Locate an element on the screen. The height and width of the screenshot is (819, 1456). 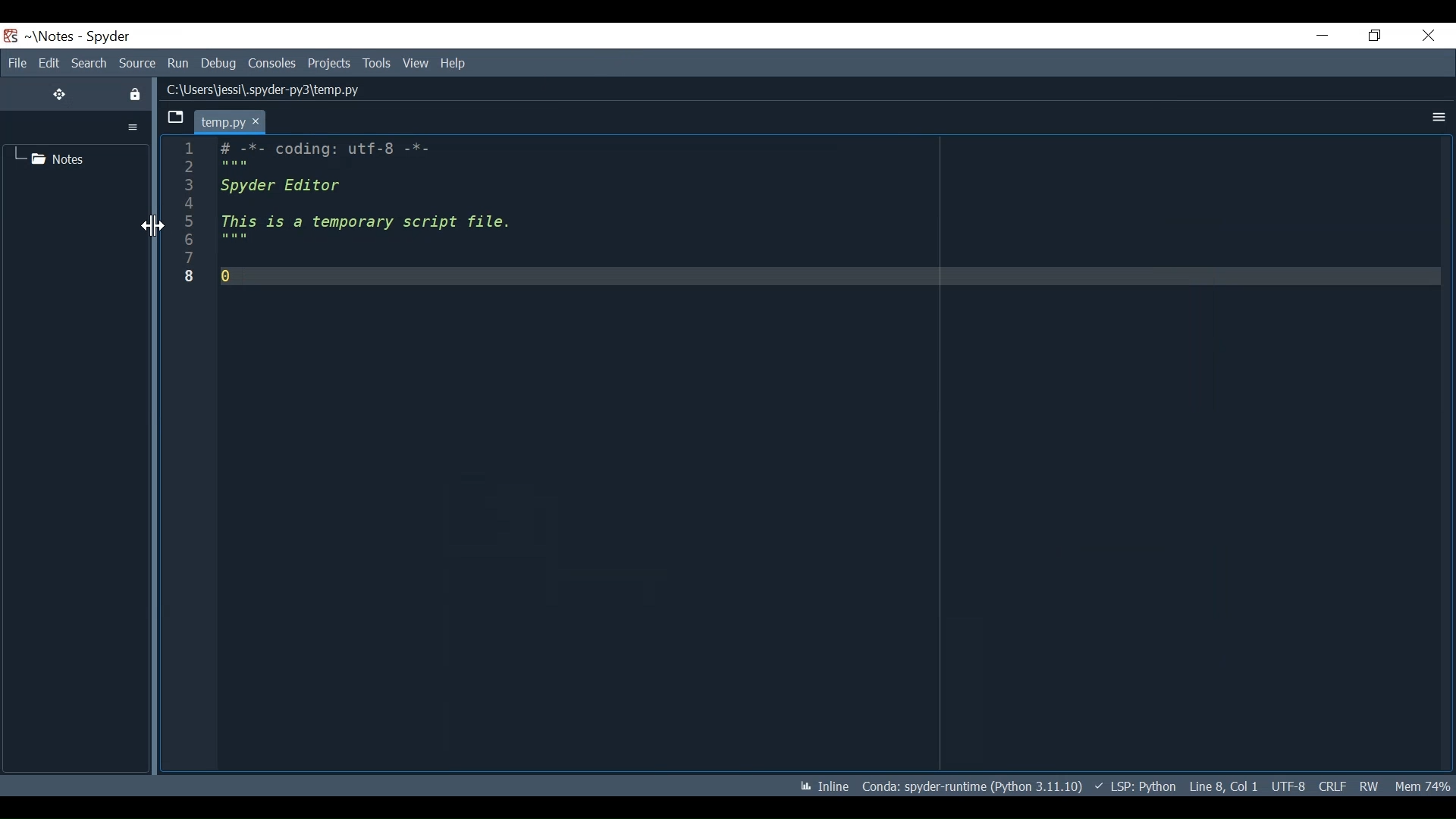
Inline is located at coordinates (820, 783).